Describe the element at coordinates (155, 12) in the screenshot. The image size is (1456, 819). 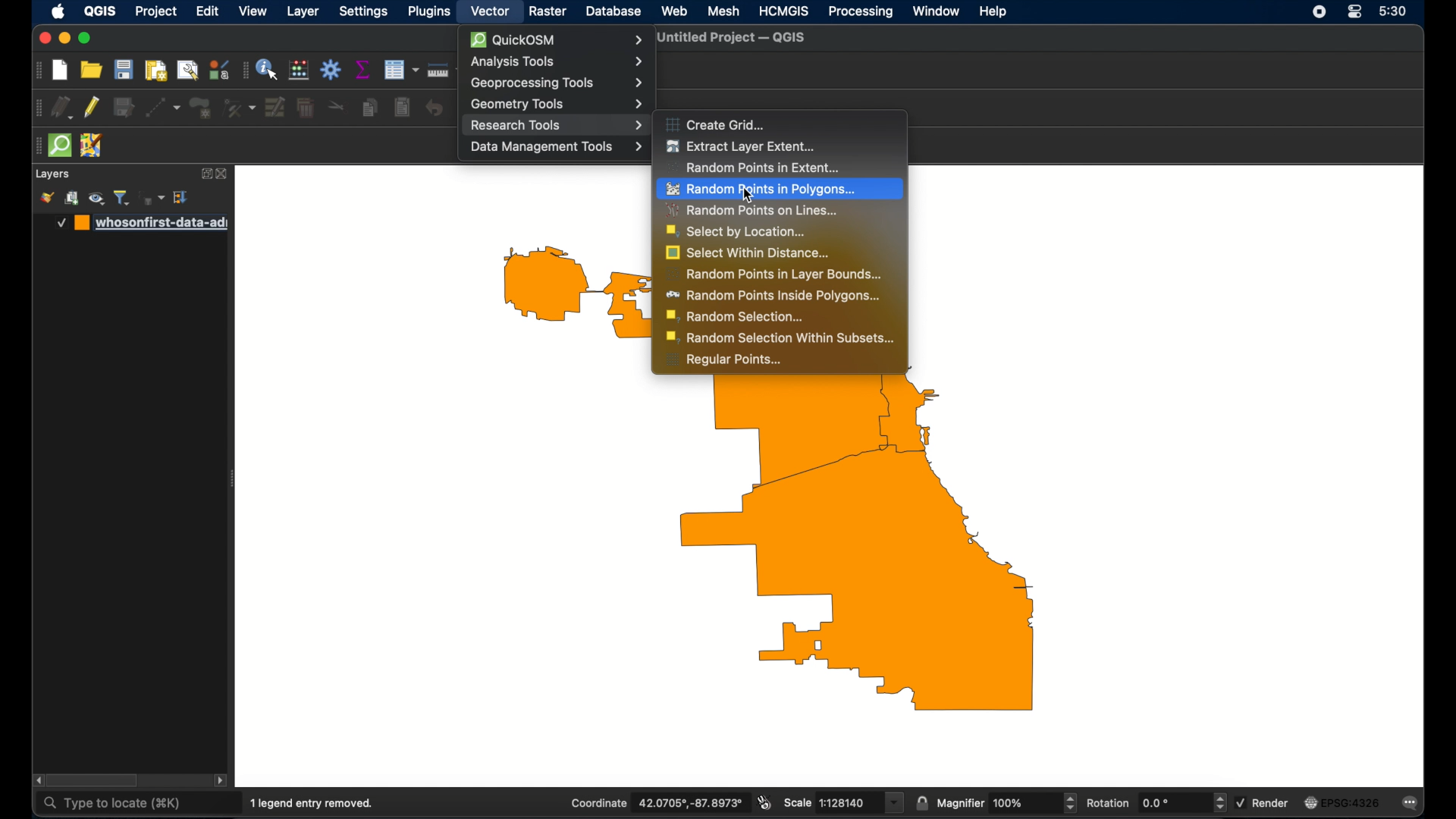
I see `project` at that location.